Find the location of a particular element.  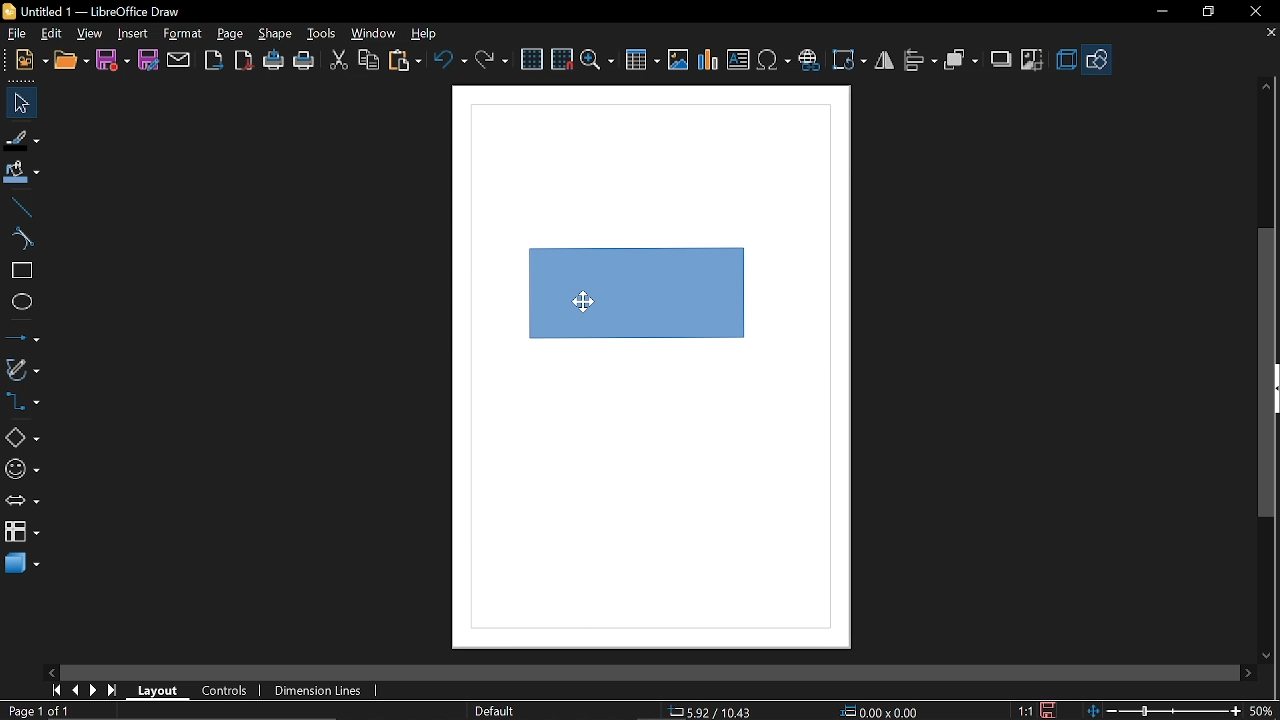

attach is located at coordinates (179, 60).